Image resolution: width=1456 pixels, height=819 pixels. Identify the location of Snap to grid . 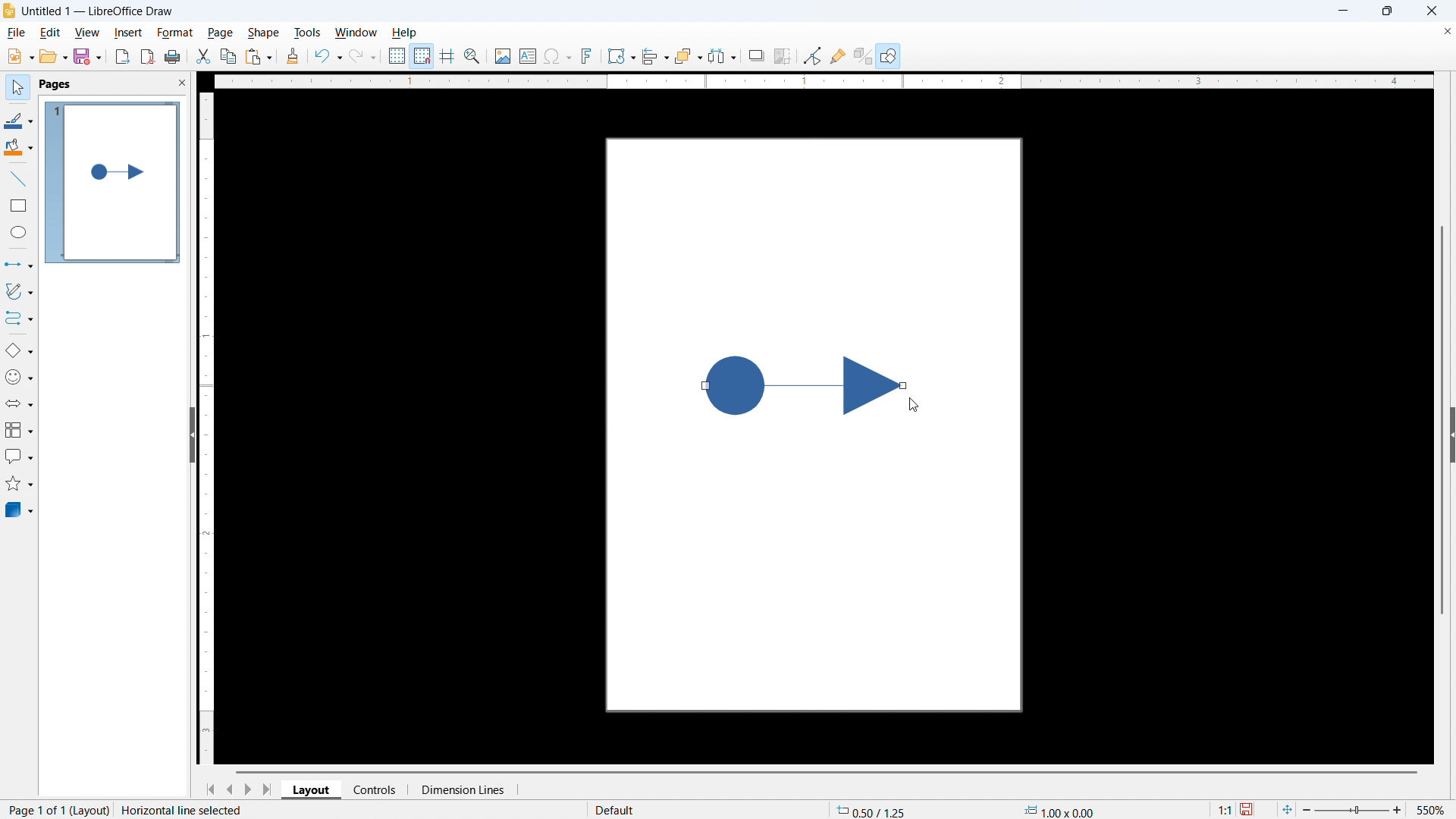
(422, 56).